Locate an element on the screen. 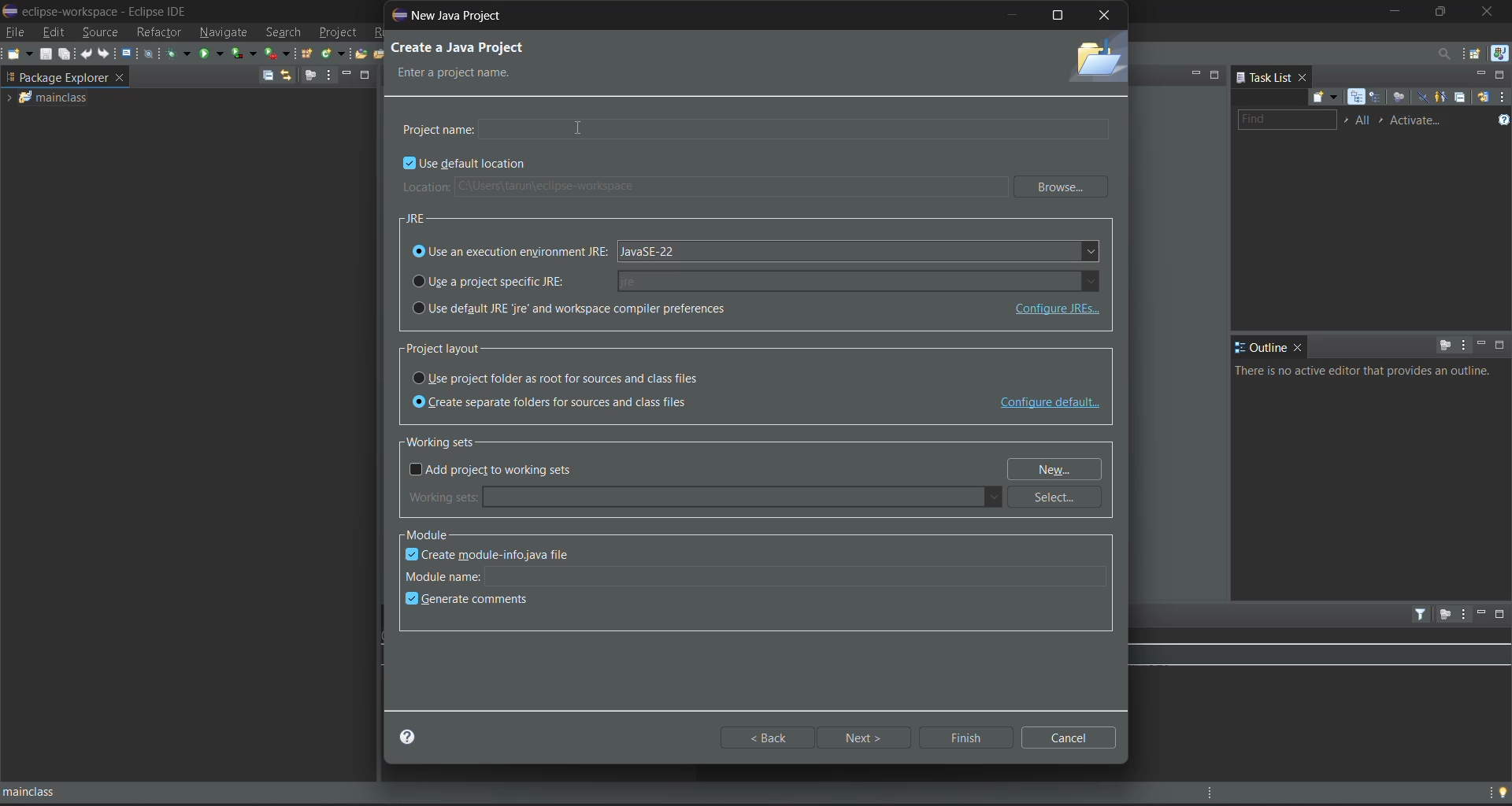 This screenshot has width=1512, height=806. open perspective is located at coordinates (1473, 54).